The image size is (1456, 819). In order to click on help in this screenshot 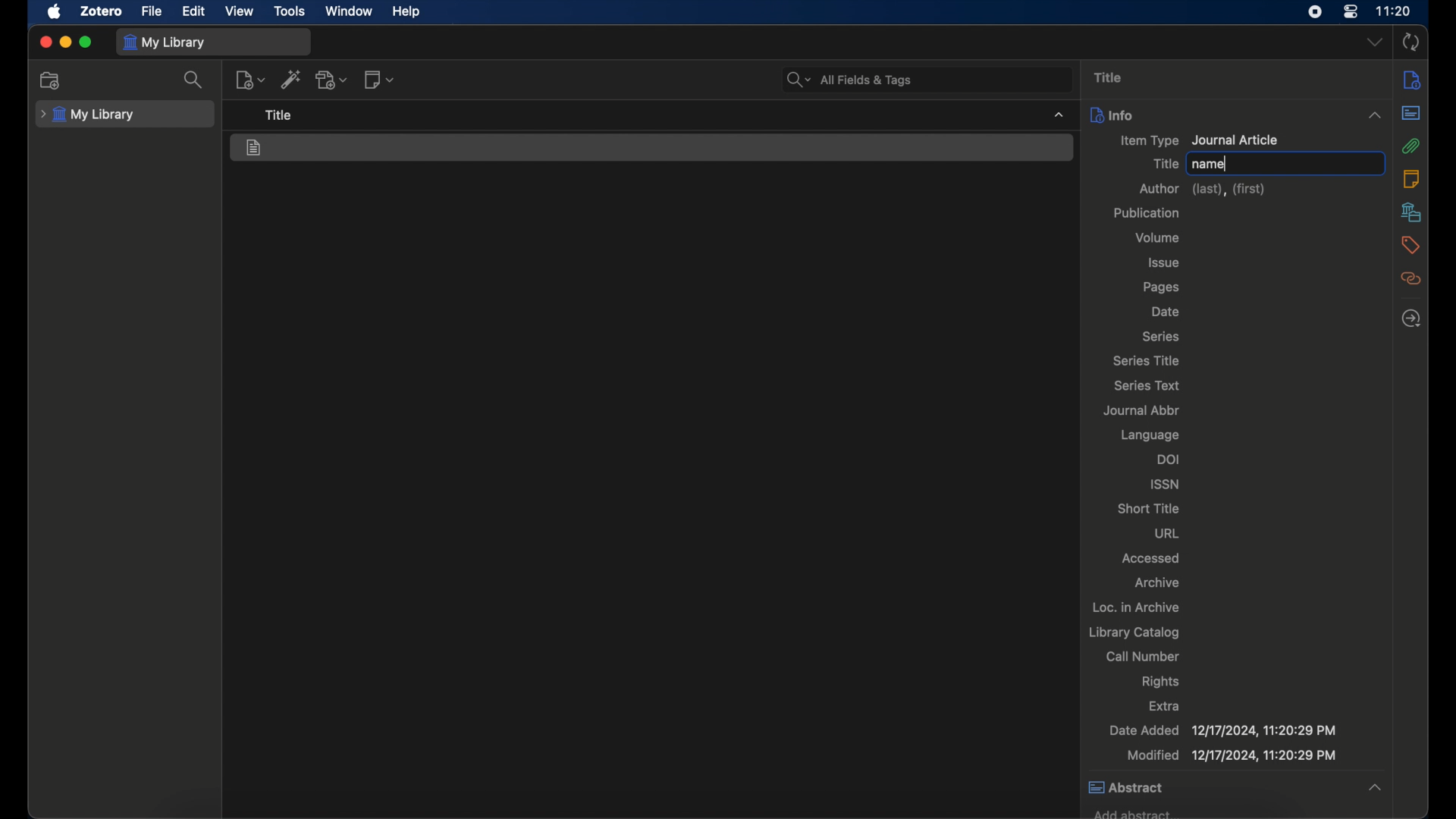, I will do `click(406, 12)`.